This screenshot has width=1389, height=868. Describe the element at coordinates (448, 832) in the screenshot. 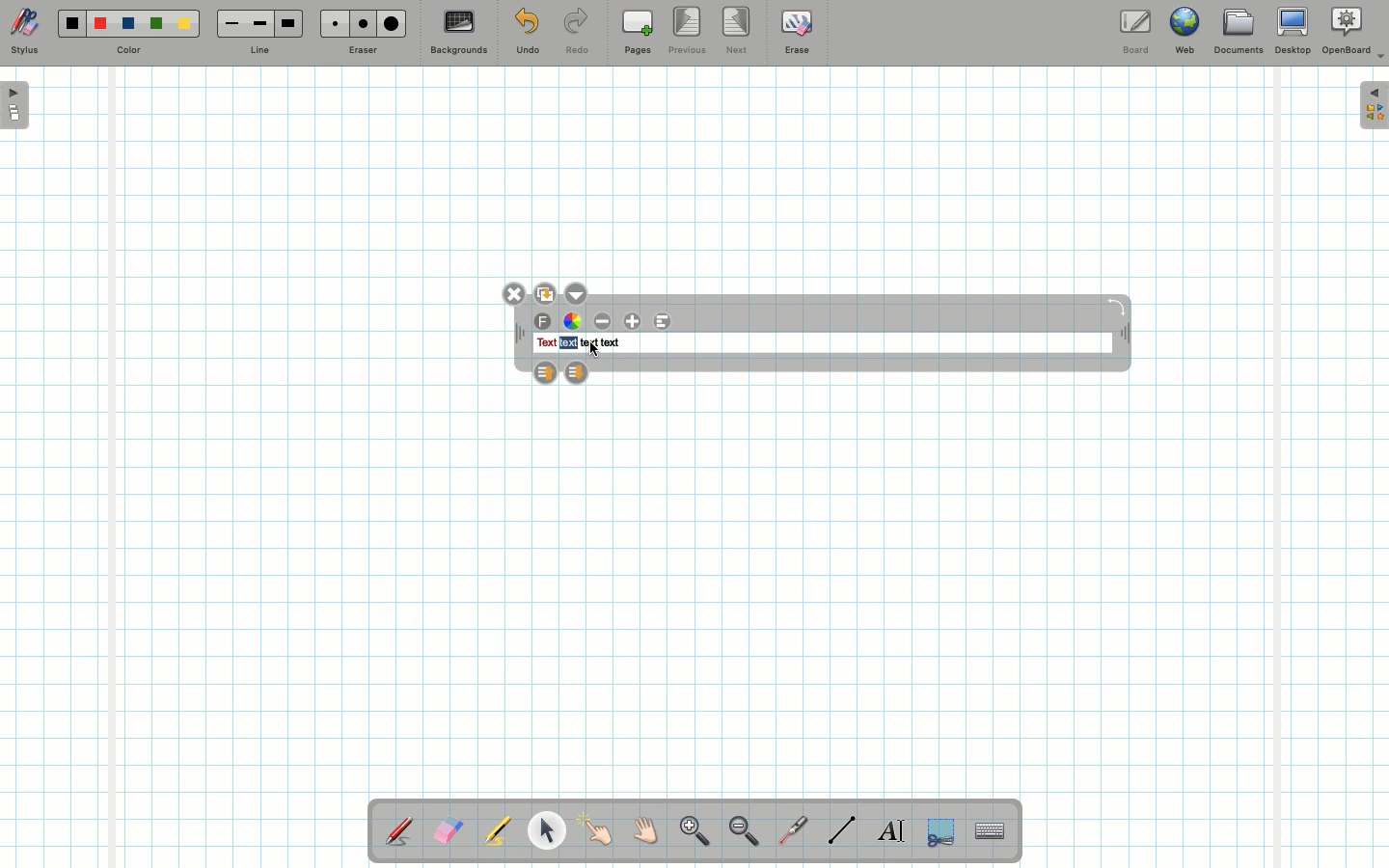

I see `Eraser` at that location.